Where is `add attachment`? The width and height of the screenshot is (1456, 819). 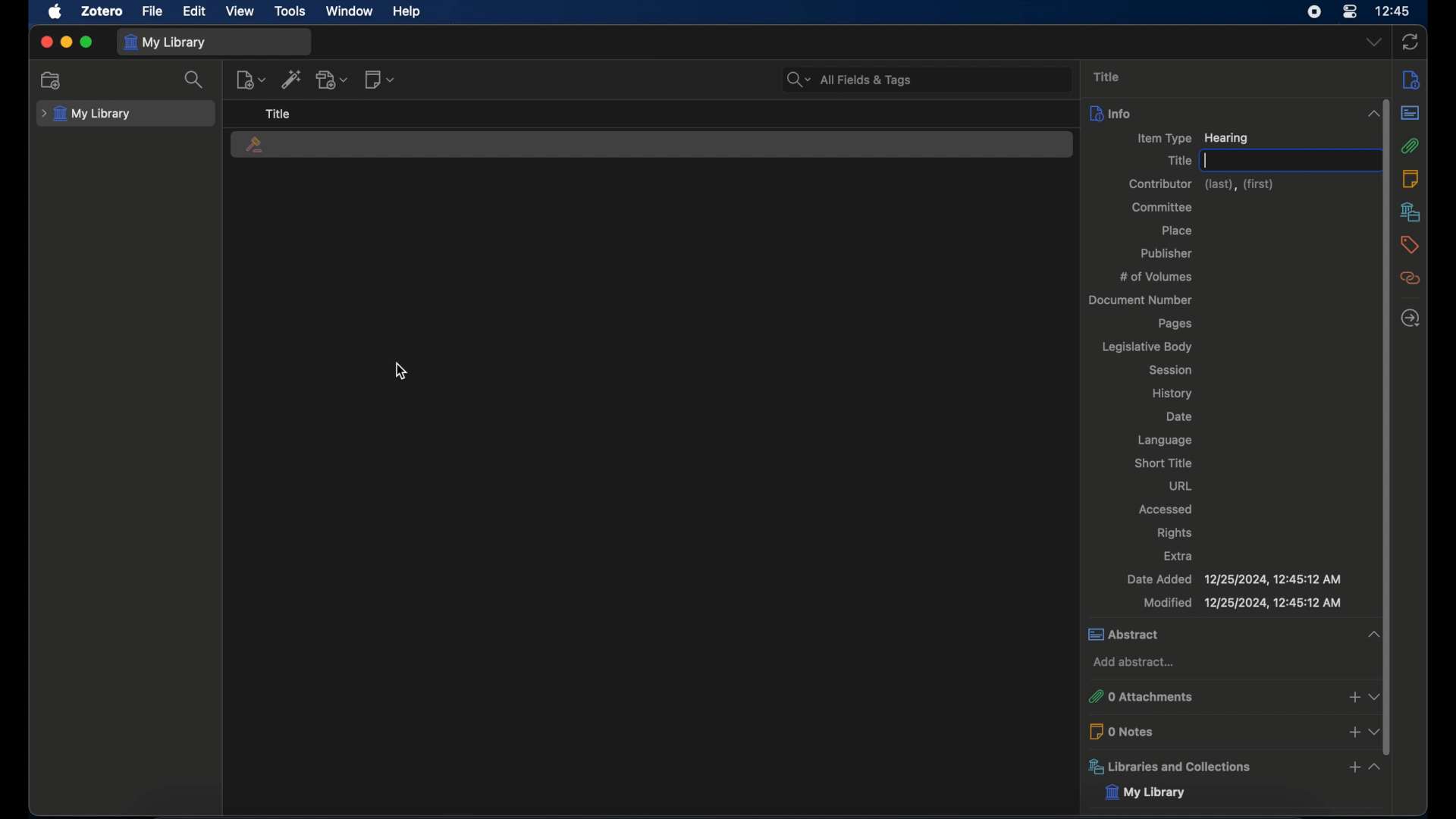 add attachment is located at coordinates (332, 80).